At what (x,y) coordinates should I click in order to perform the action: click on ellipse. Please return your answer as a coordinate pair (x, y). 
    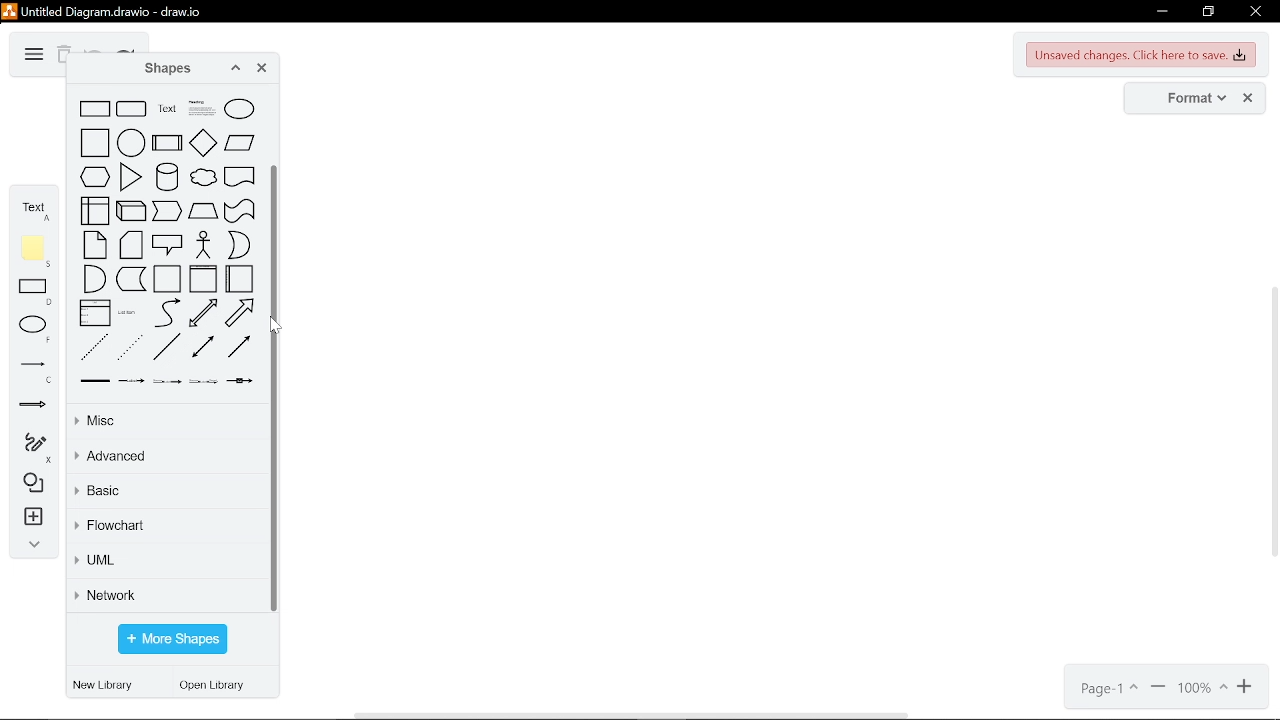
    Looking at the image, I should click on (239, 109).